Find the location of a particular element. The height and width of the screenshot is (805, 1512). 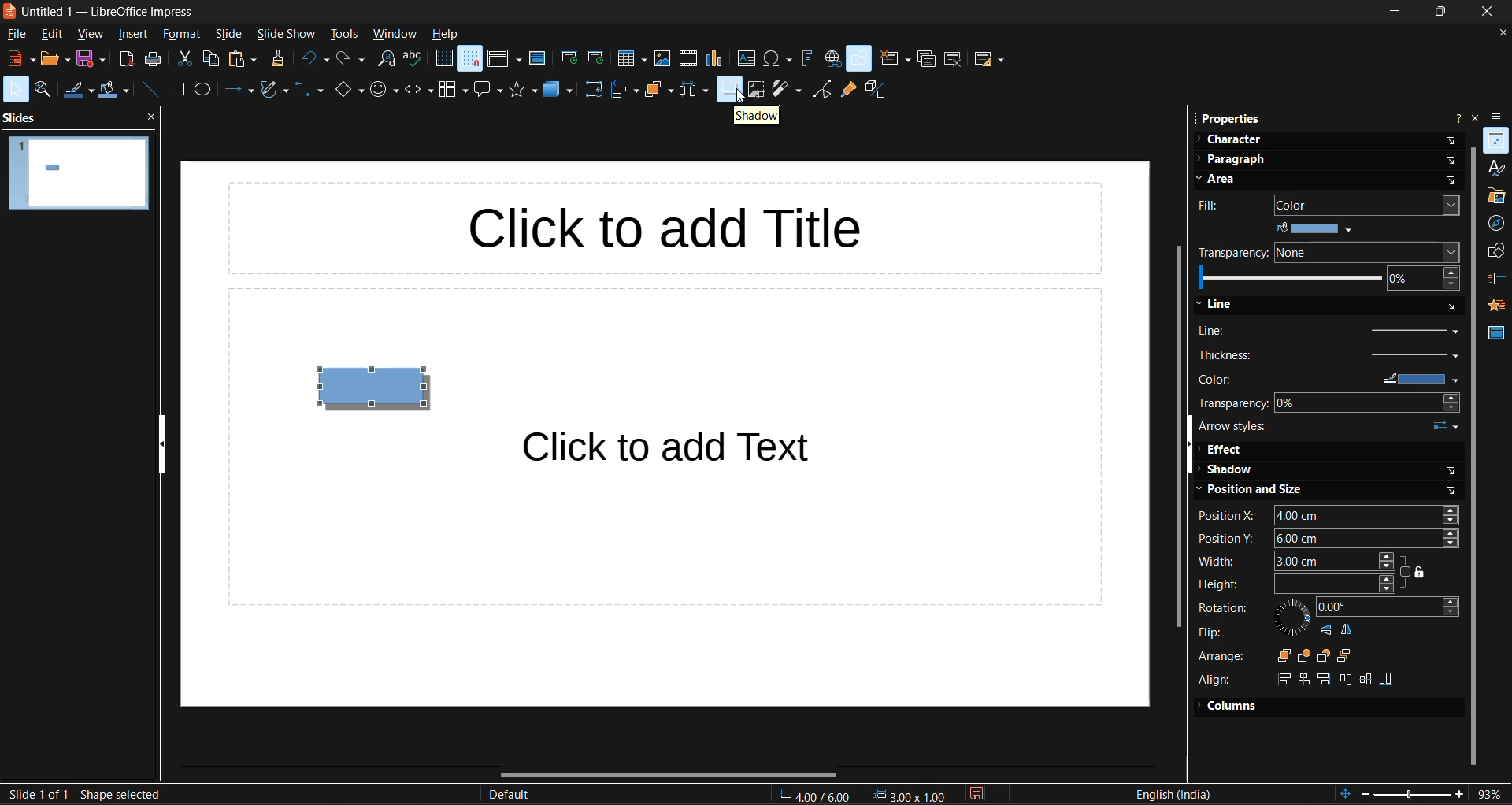

cut is located at coordinates (187, 59).